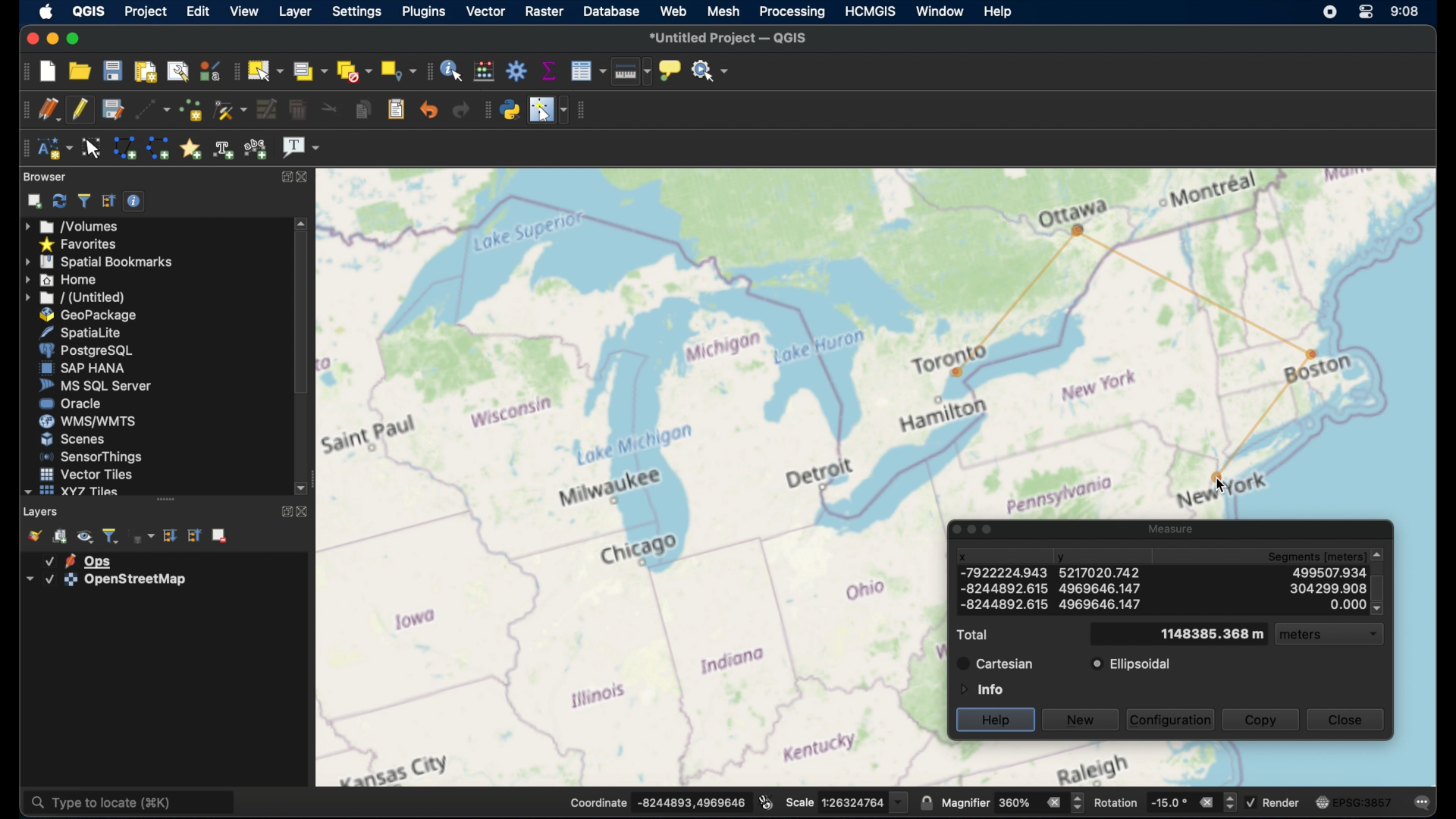 This screenshot has height=819, width=1456. What do you see at coordinates (303, 489) in the screenshot?
I see `scroll down arrow` at bounding box center [303, 489].